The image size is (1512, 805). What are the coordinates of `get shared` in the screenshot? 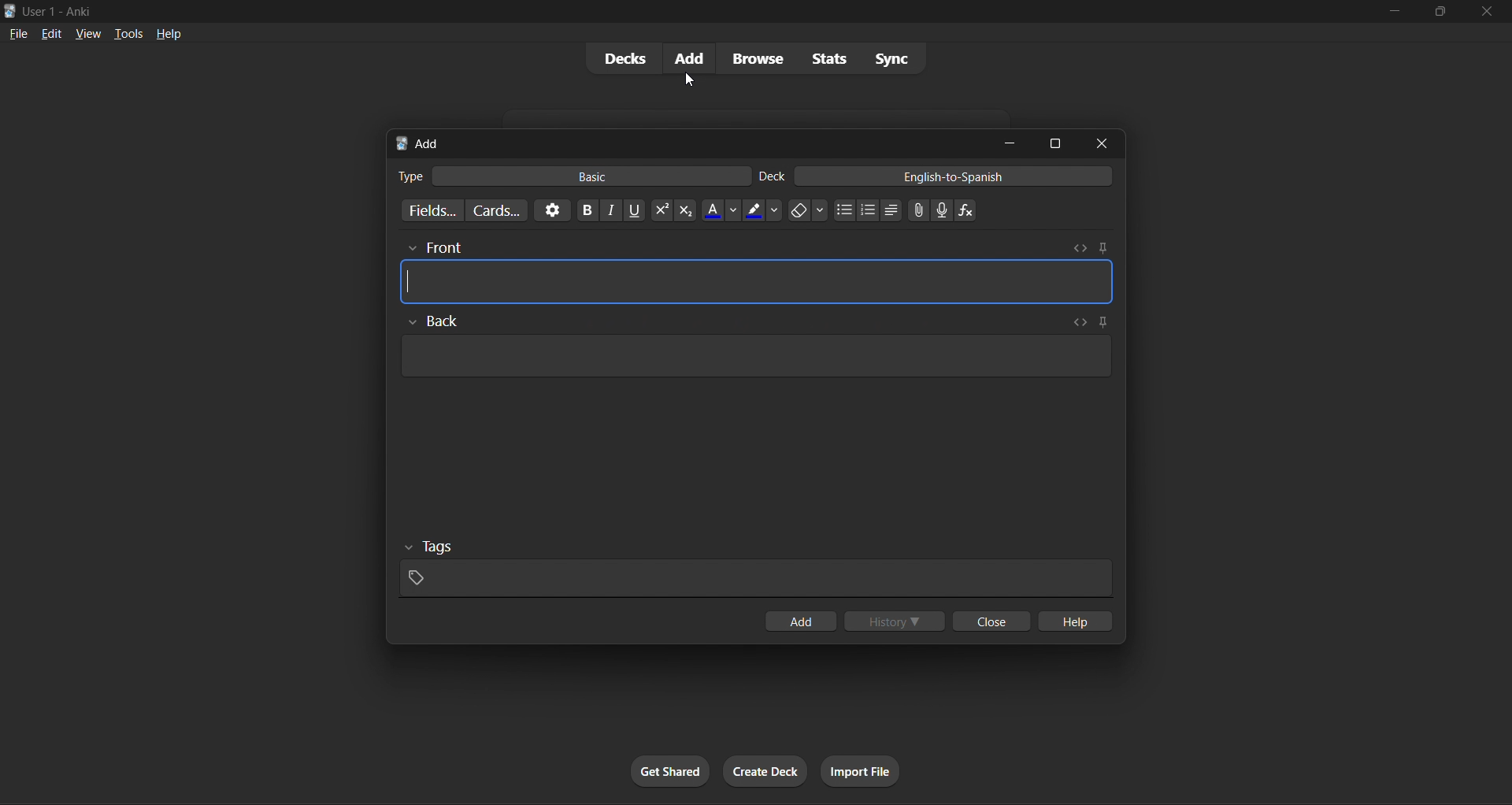 It's located at (669, 770).